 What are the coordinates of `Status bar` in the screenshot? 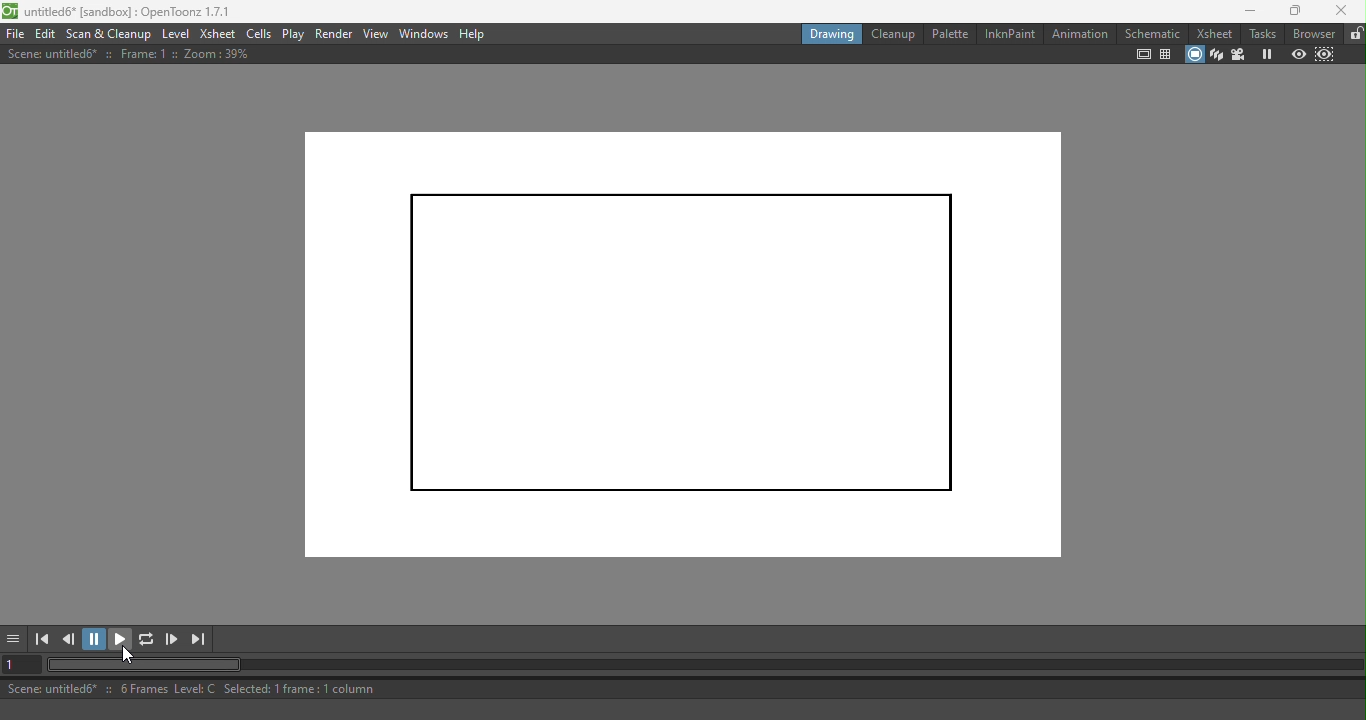 It's located at (682, 691).